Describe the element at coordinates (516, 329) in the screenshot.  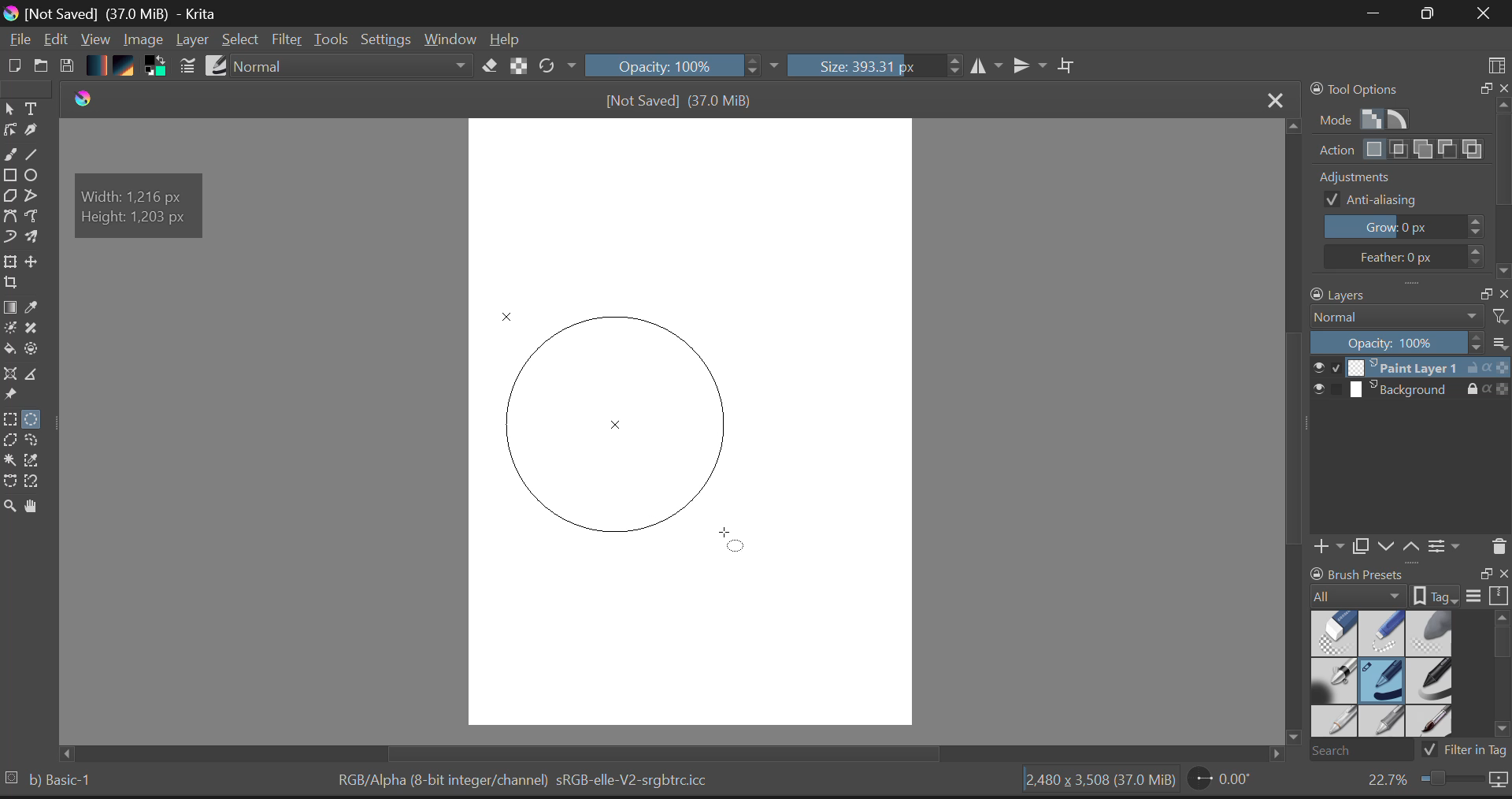
I see `MOUSE_DOWN Cursor Position` at that location.